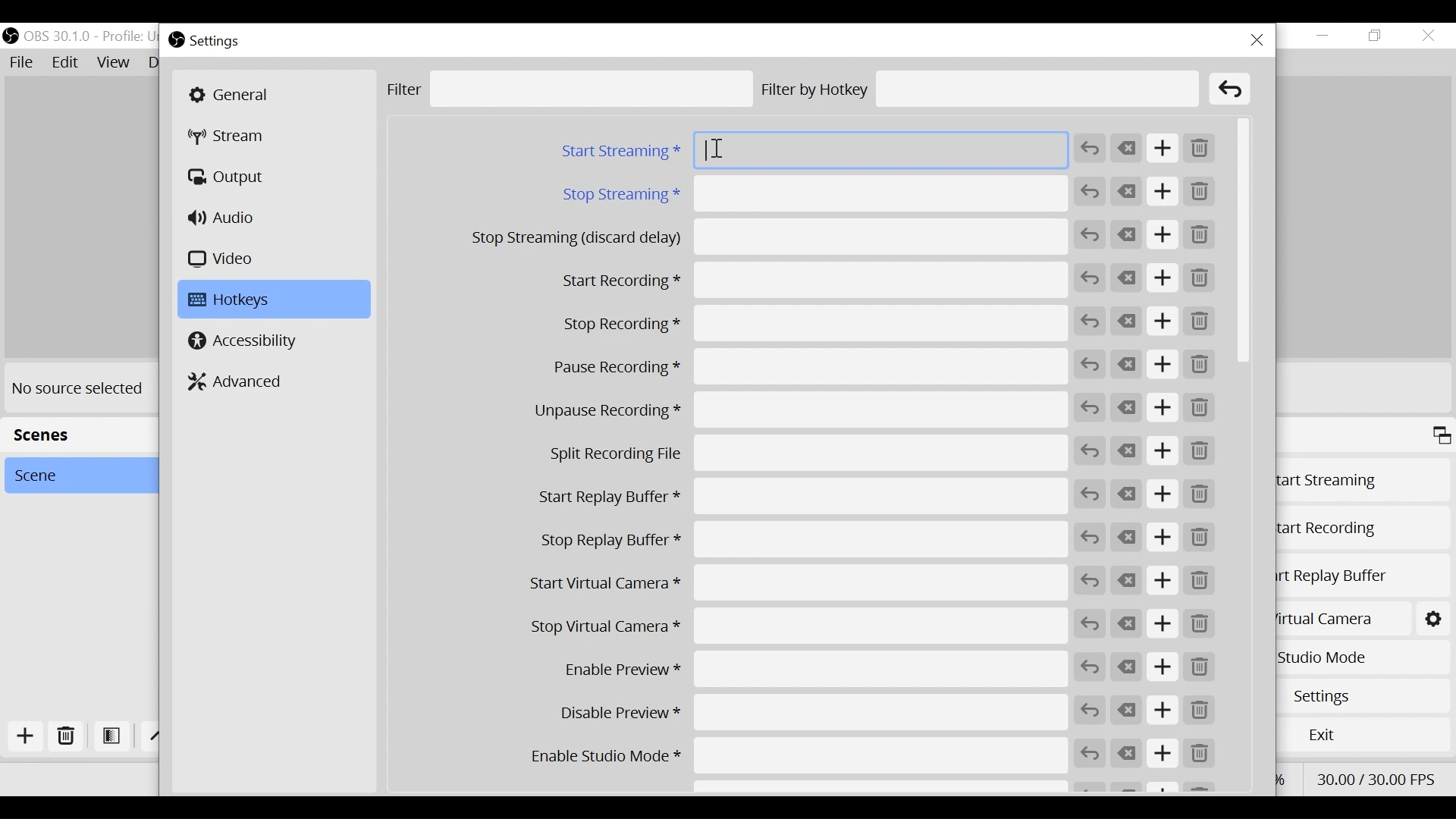 This screenshot has height=819, width=1456. Describe the element at coordinates (1127, 278) in the screenshot. I see `Clear` at that location.